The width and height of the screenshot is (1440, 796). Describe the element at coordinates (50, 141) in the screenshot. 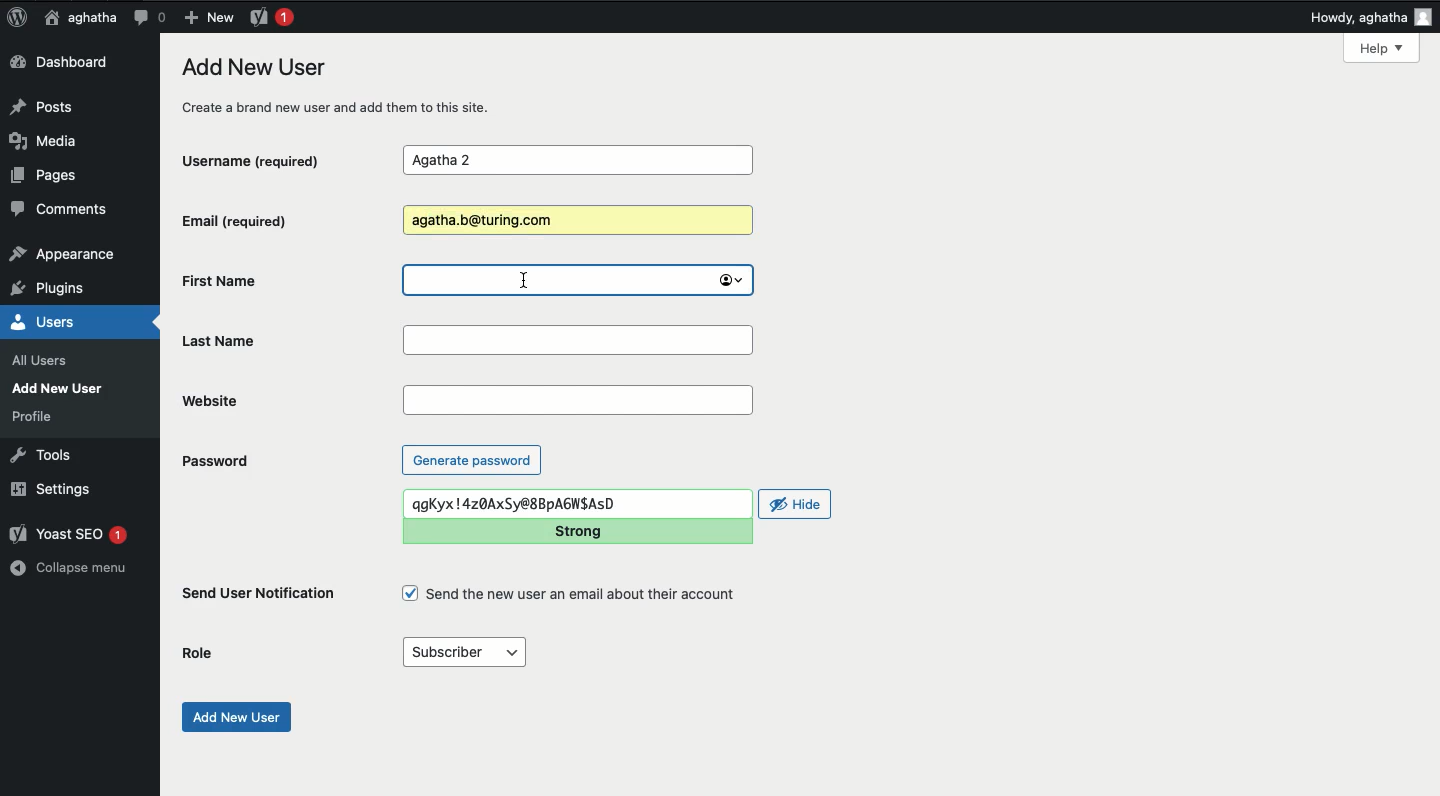

I see `Media` at that location.